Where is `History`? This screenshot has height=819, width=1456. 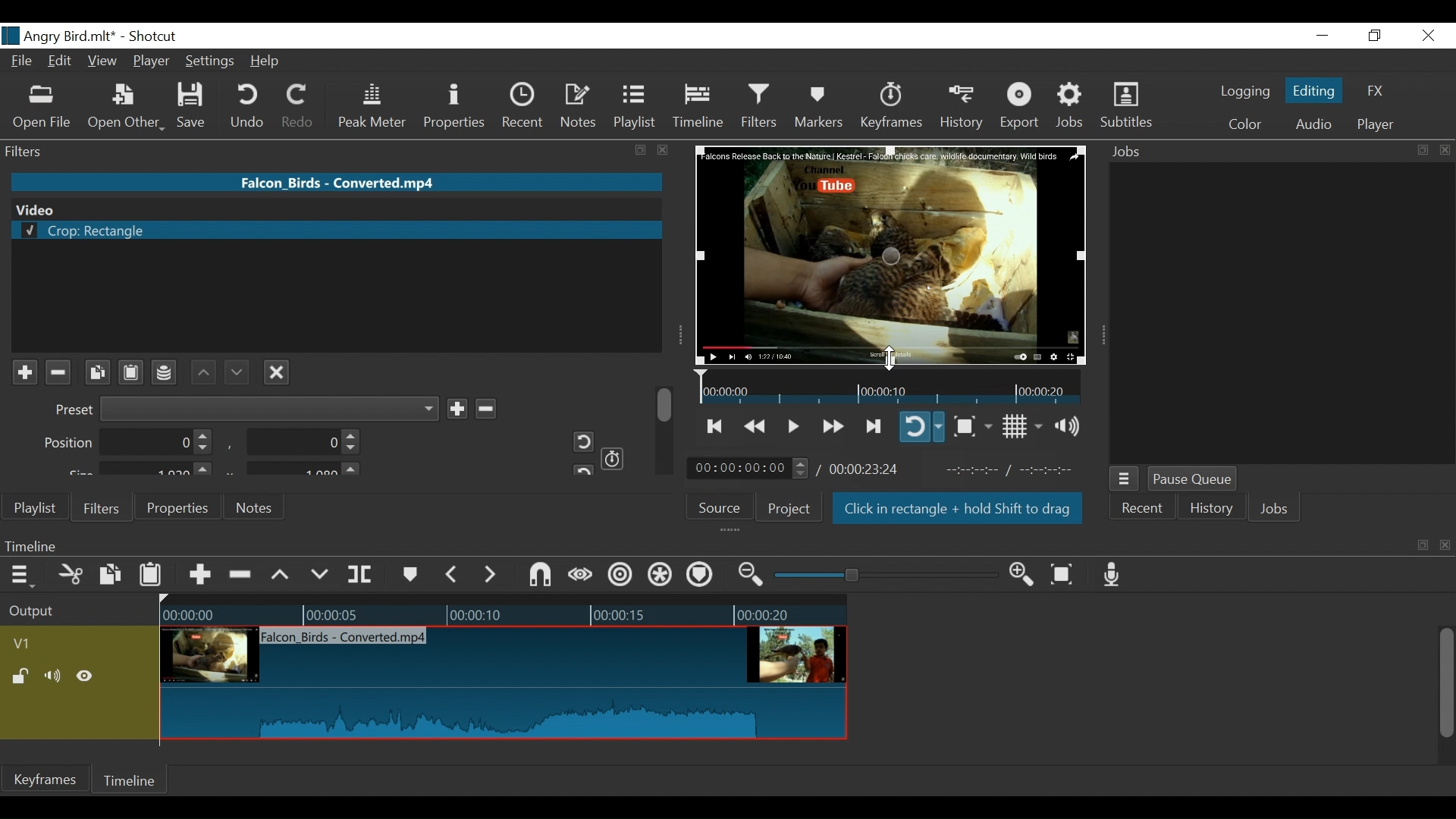
History is located at coordinates (962, 107).